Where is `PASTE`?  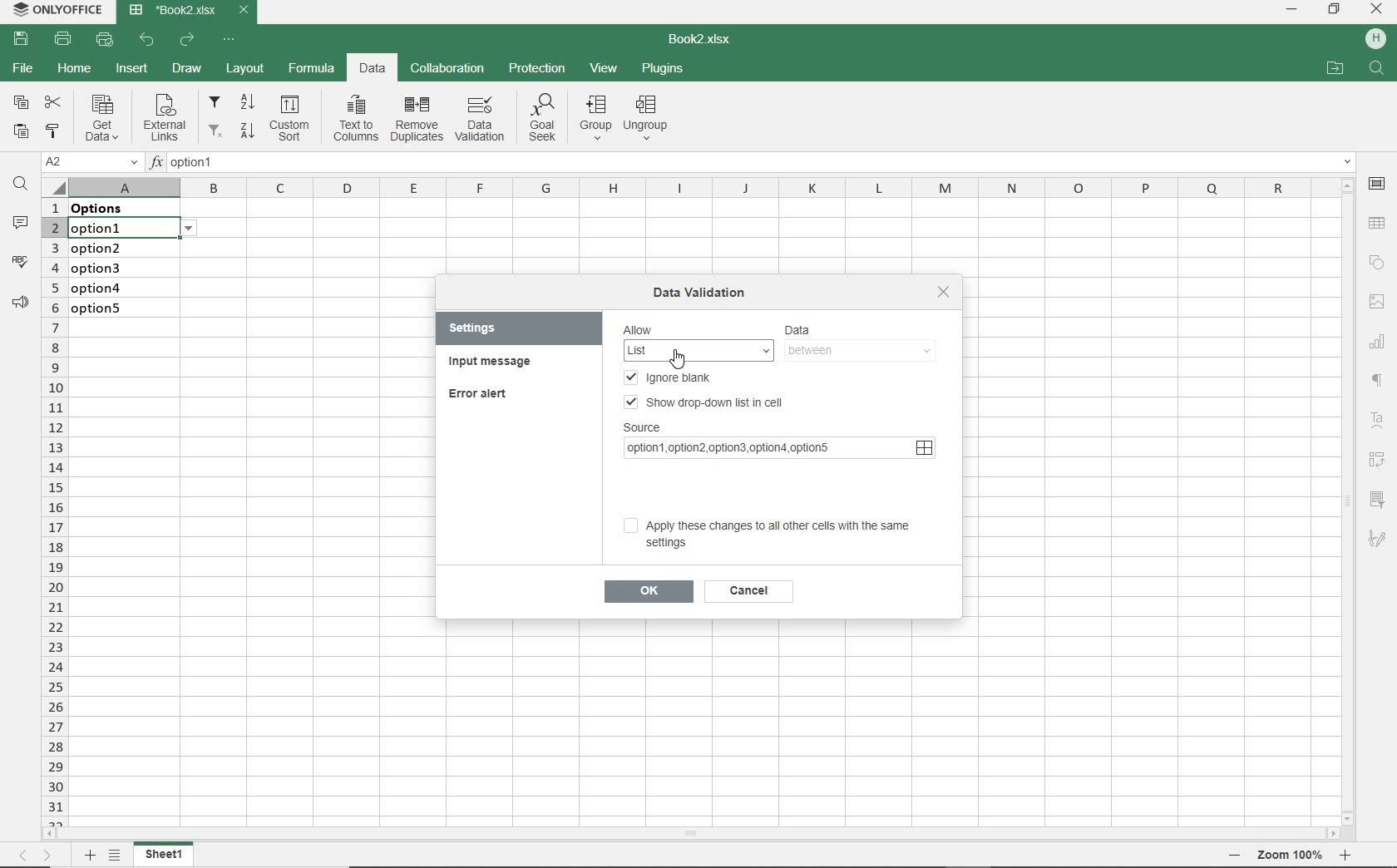 PASTE is located at coordinates (24, 130).